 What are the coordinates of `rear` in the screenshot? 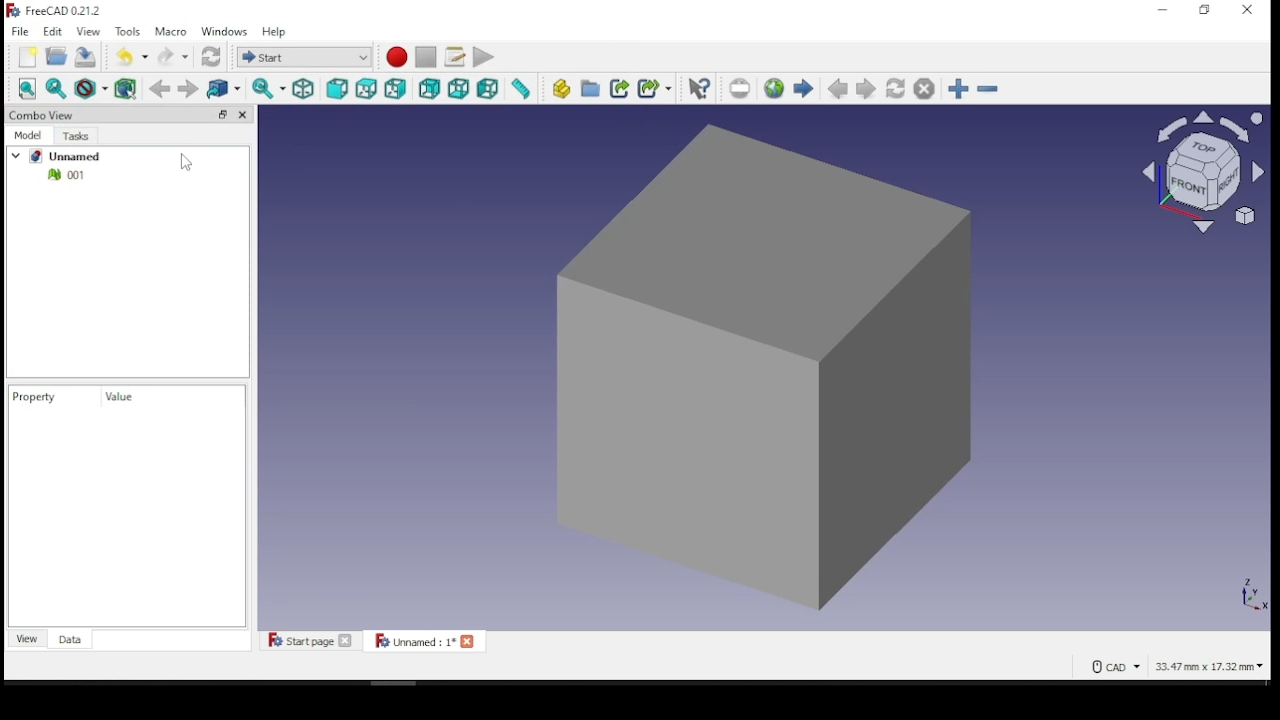 It's located at (429, 88).